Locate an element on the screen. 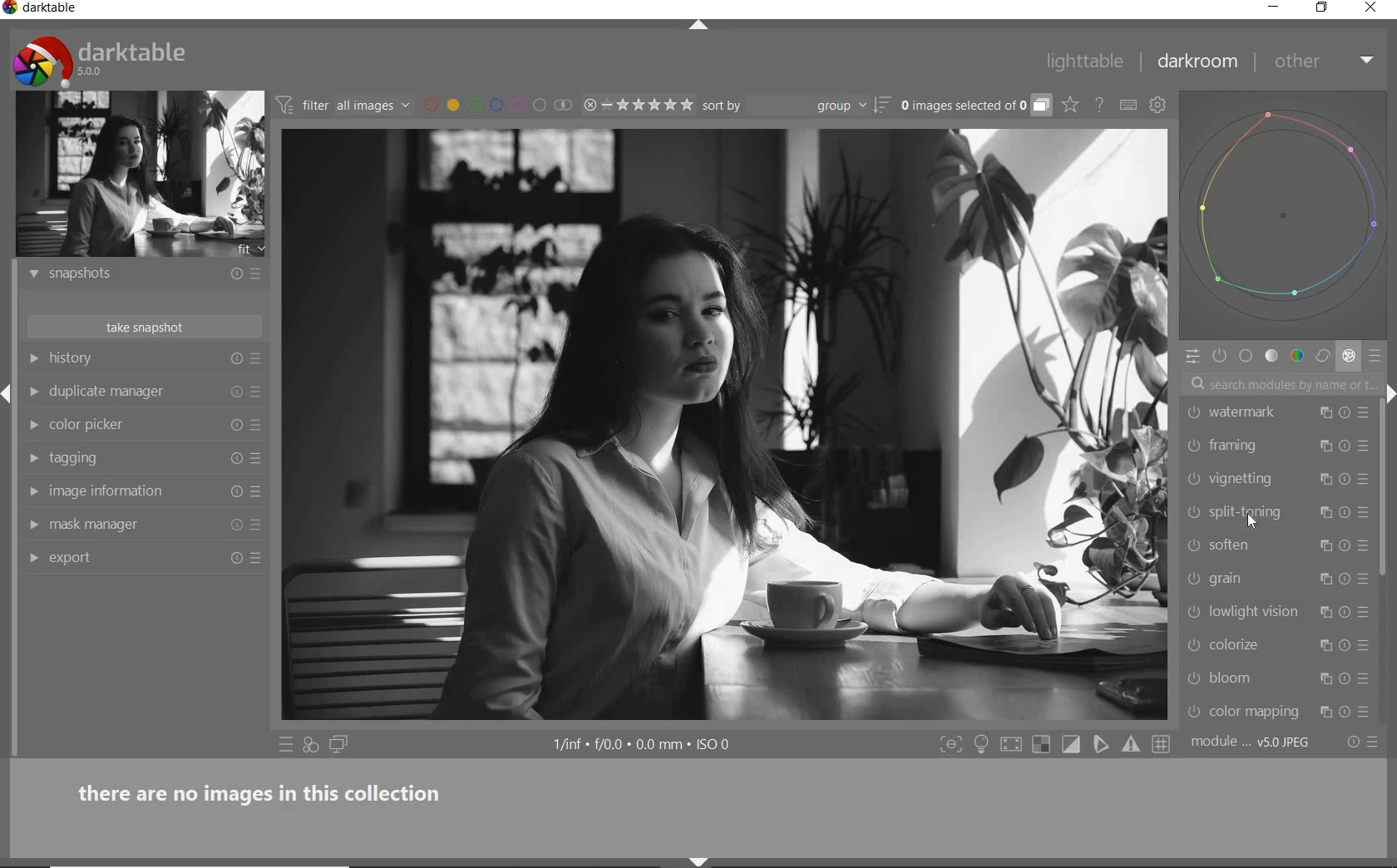  there are no images in this collection is located at coordinates (269, 791).